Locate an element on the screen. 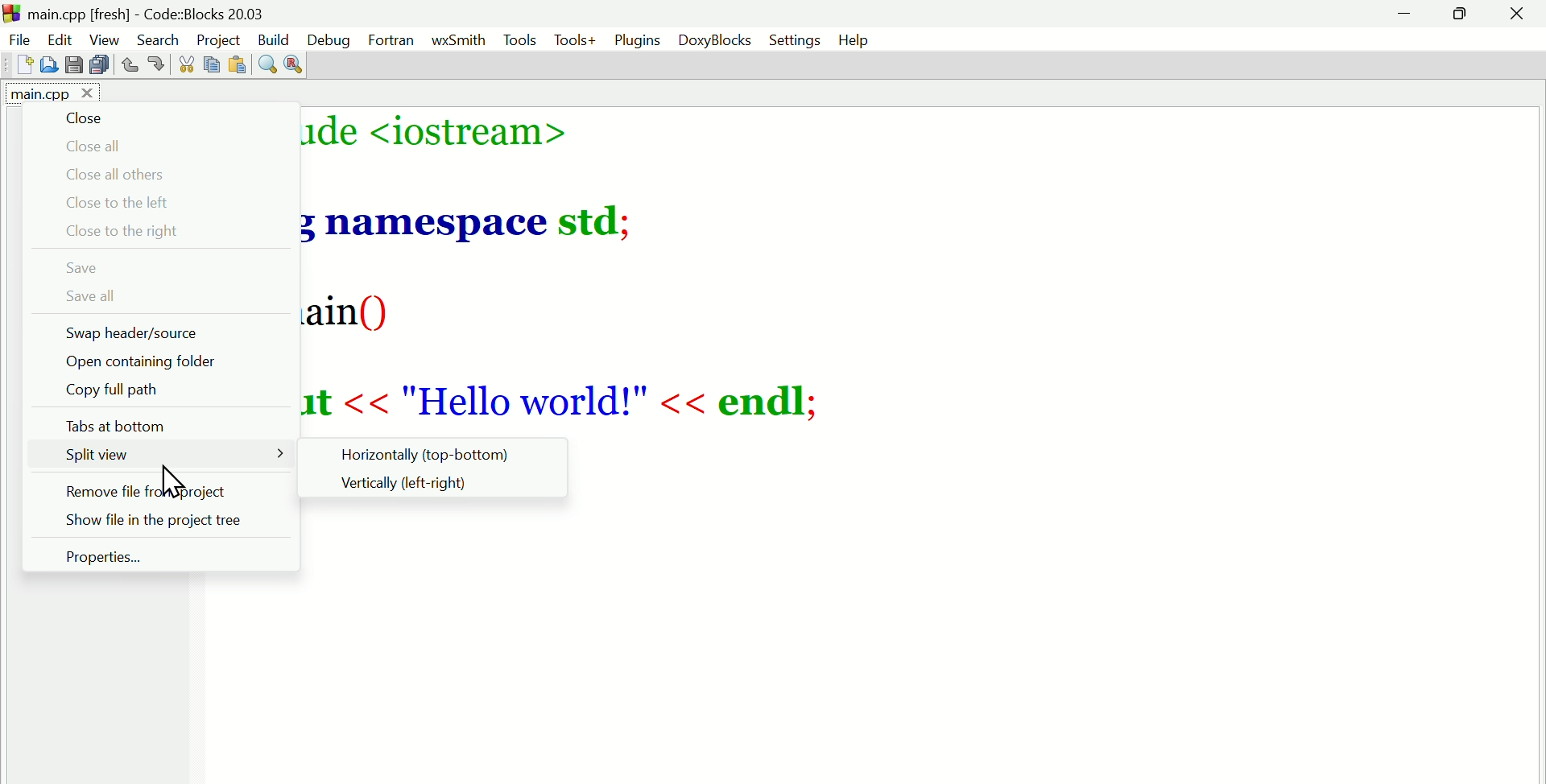  Project is located at coordinates (220, 39).